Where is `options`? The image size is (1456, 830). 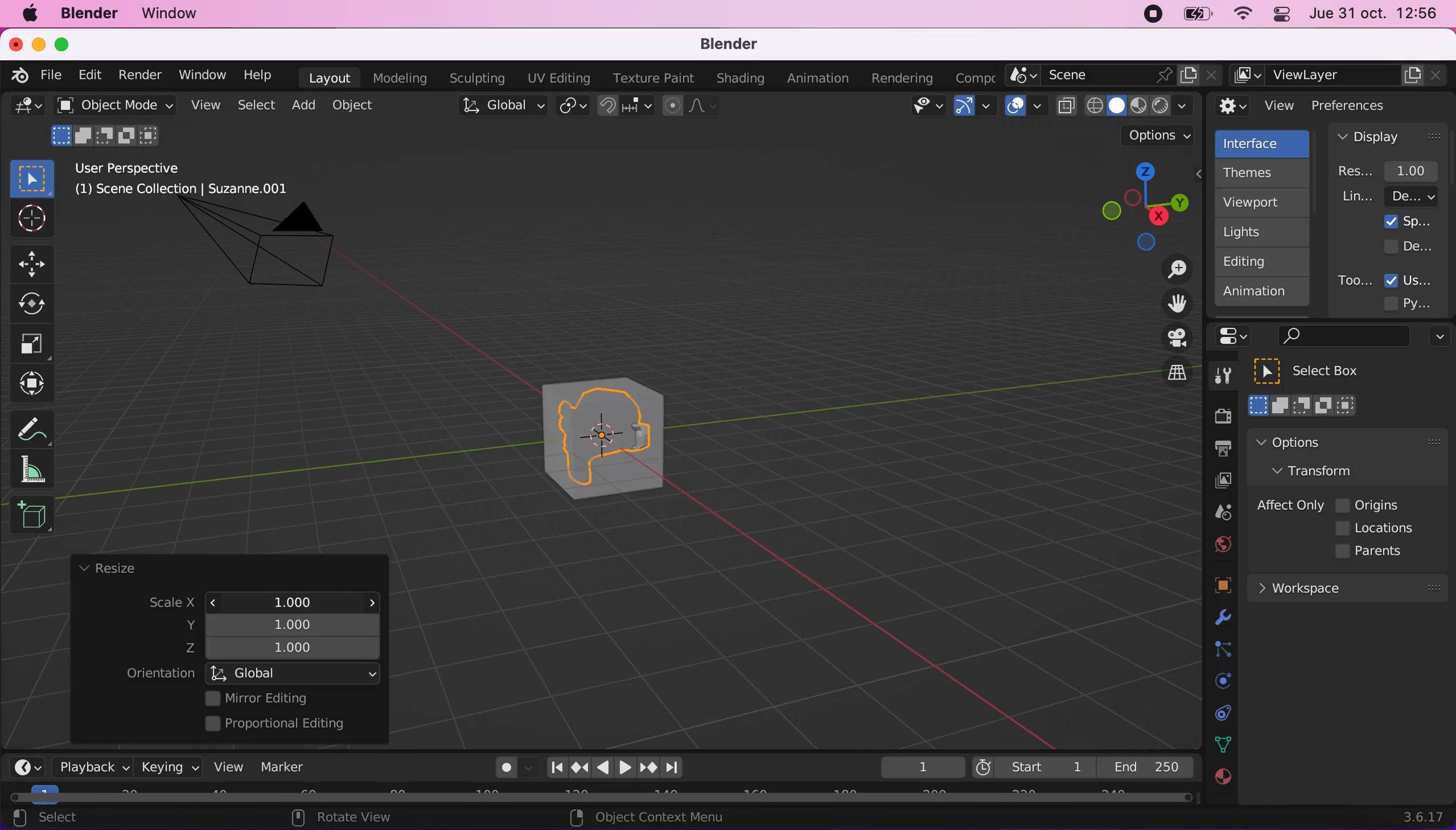 options is located at coordinates (1160, 136).